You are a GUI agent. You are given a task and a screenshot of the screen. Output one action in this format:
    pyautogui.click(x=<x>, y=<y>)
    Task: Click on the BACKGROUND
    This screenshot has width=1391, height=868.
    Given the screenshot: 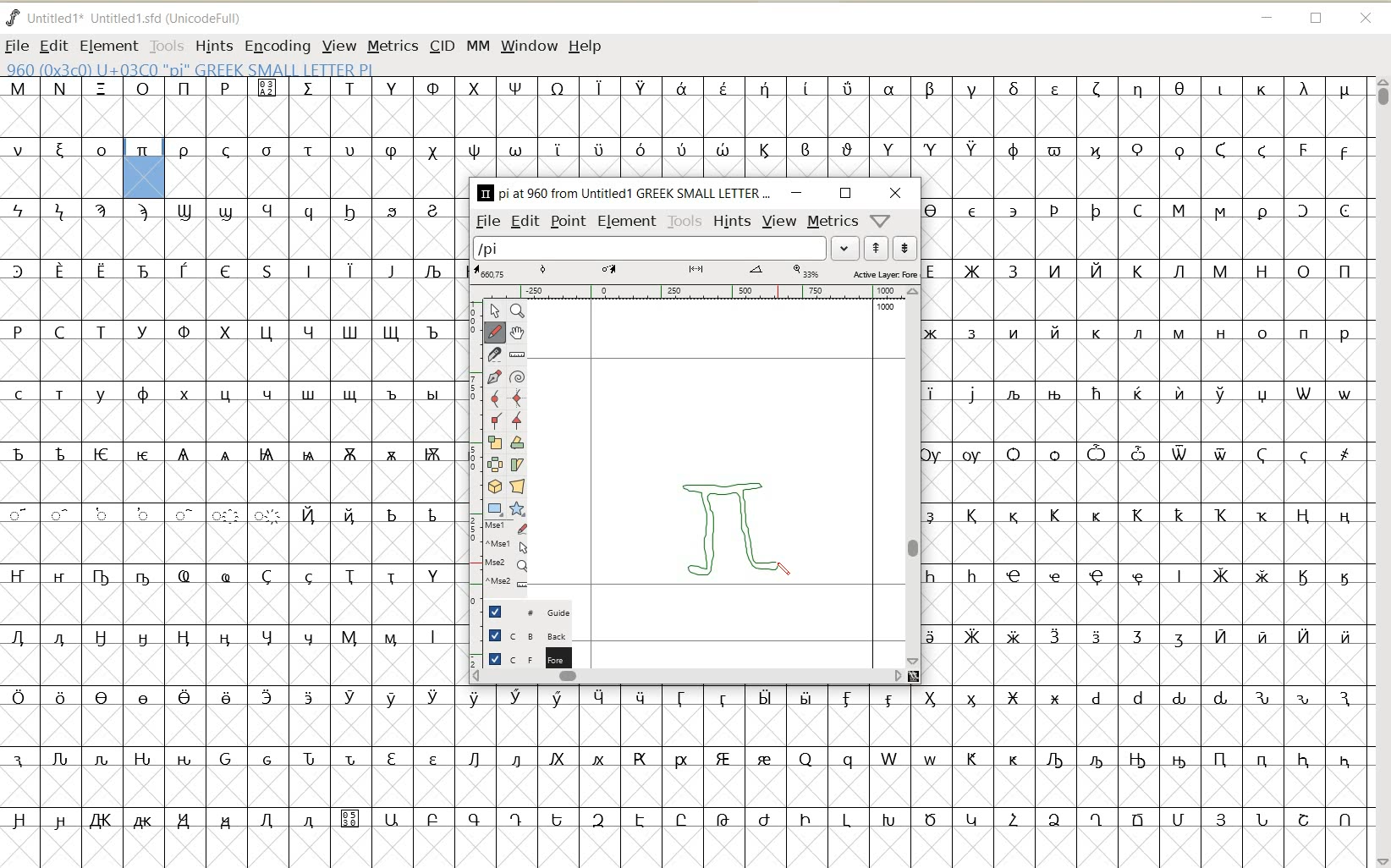 What is the action you would take?
    pyautogui.click(x=520, y=637)
    